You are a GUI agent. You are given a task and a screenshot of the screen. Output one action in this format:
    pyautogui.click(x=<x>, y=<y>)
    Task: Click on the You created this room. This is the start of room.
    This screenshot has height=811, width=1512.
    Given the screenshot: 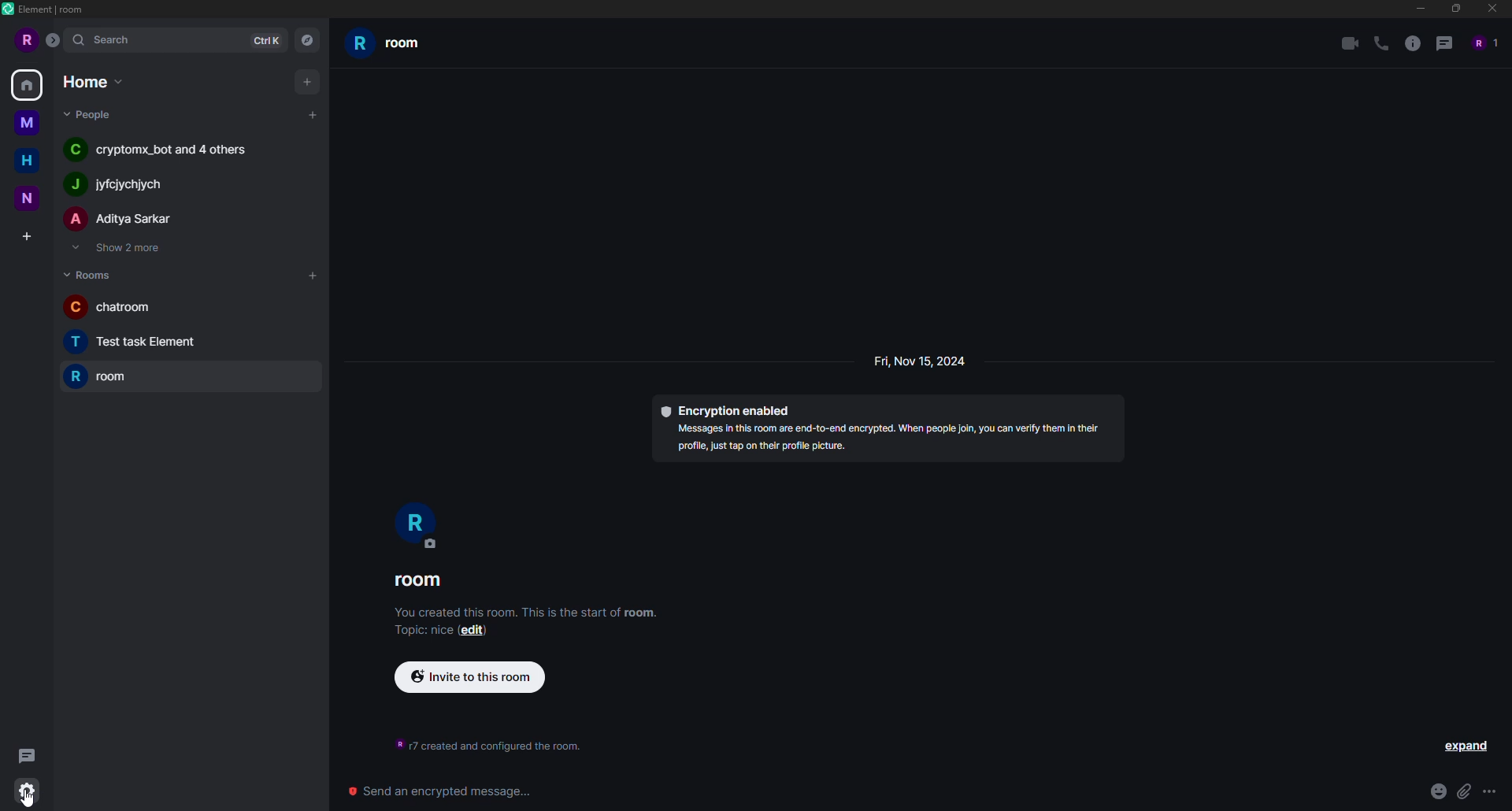 What is the action you would take?
    pyautogui.click(x=532, y=612)
    